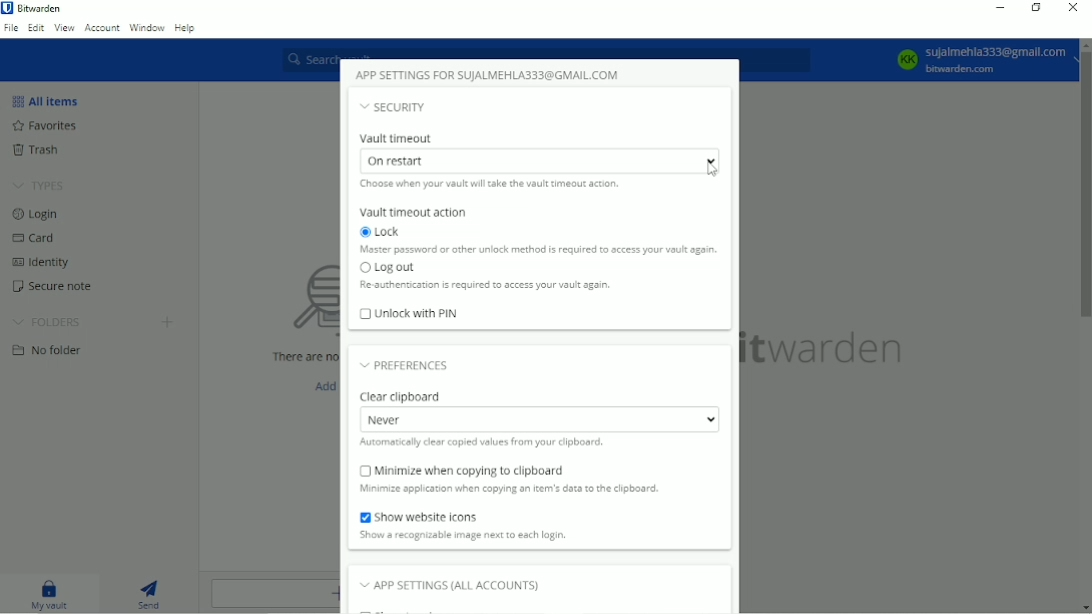 The height and width of the screenshot is (614, 1092). I want to click on Minimize, so click(1000, 8).